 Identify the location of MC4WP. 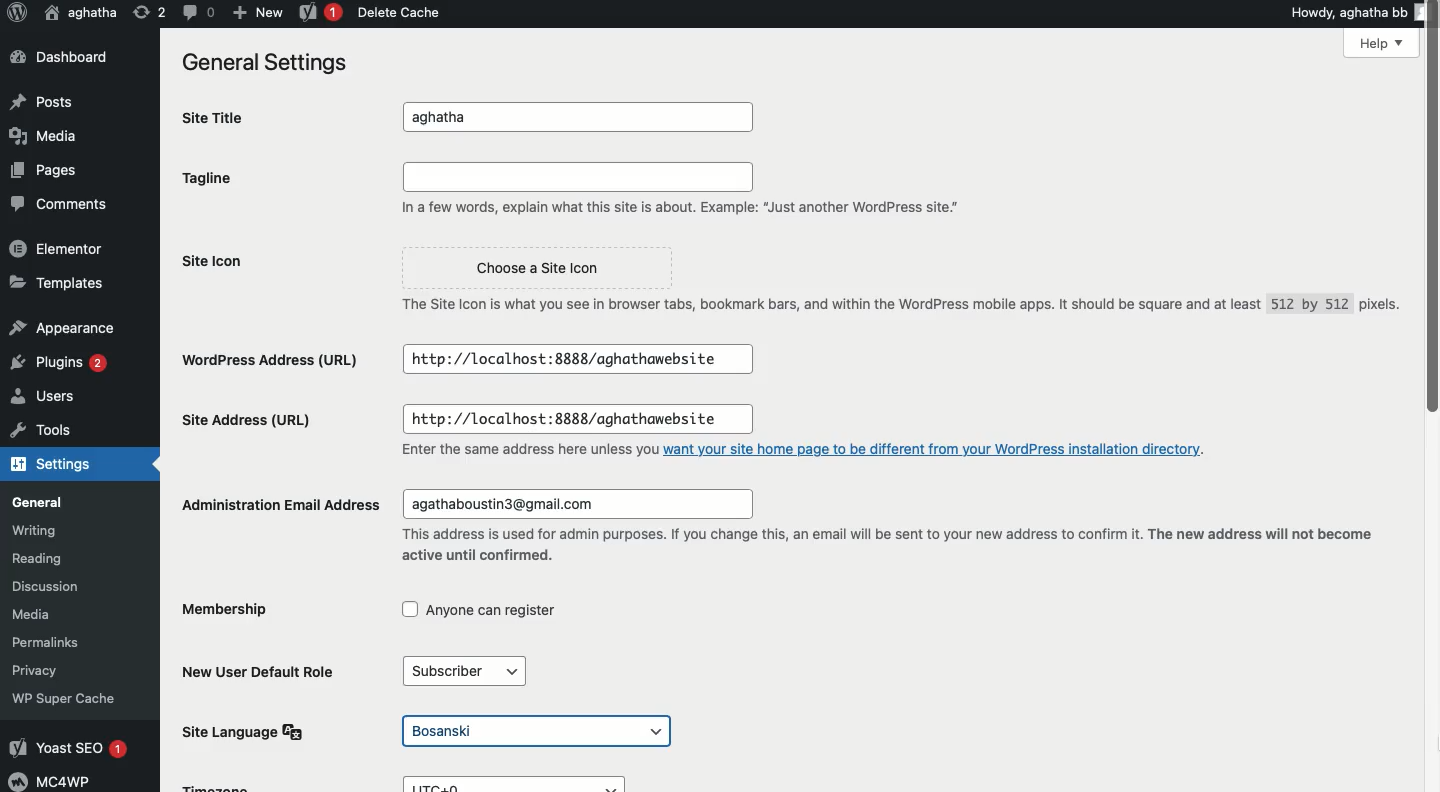
(56, 780).